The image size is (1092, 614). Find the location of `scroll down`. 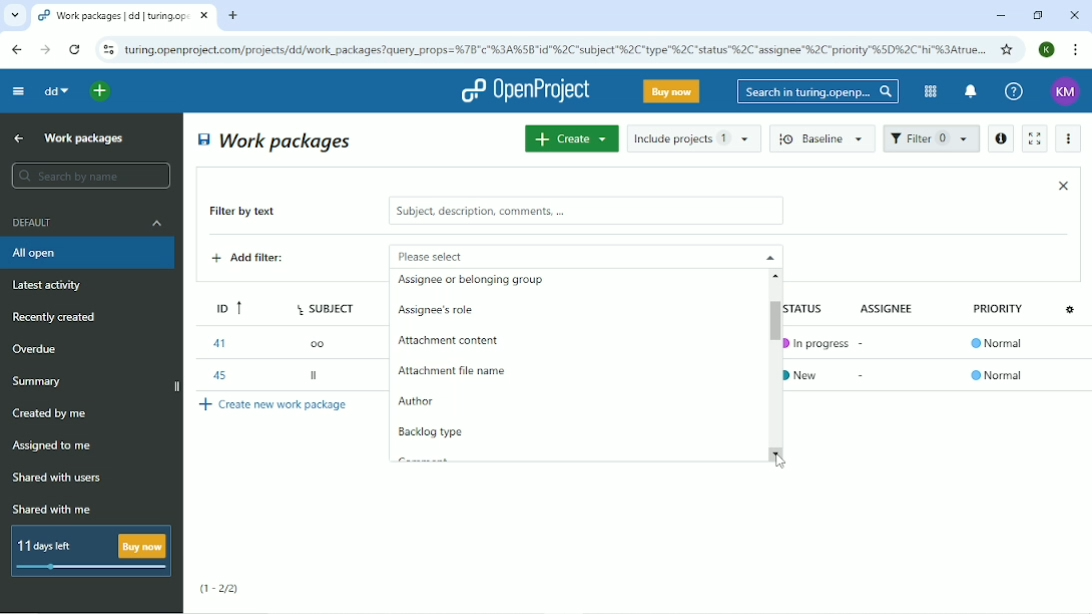

scroll down is located at coordinates (780, 453).